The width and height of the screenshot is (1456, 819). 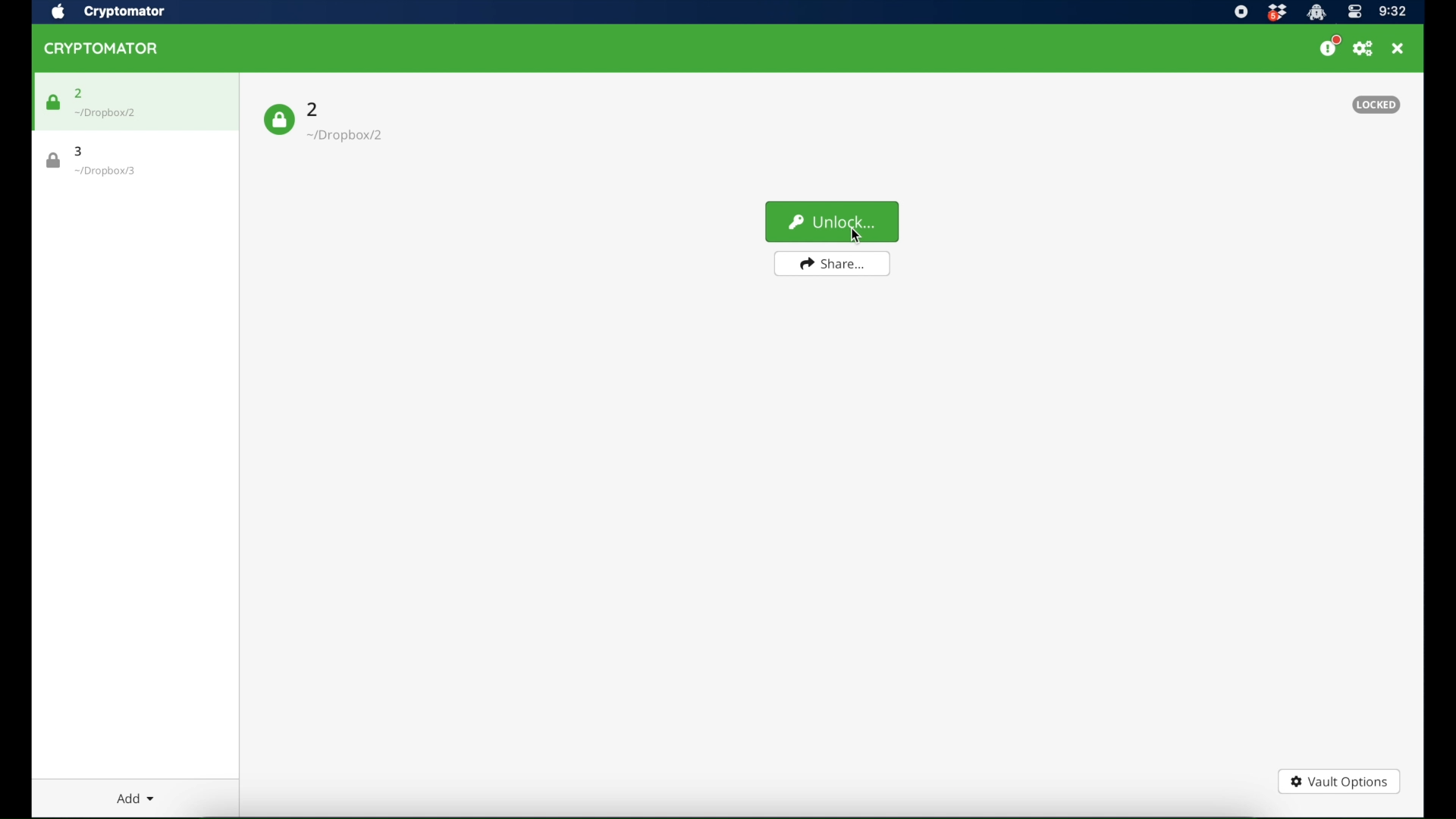 I want to click on vault location, so click(x=105, y=171).